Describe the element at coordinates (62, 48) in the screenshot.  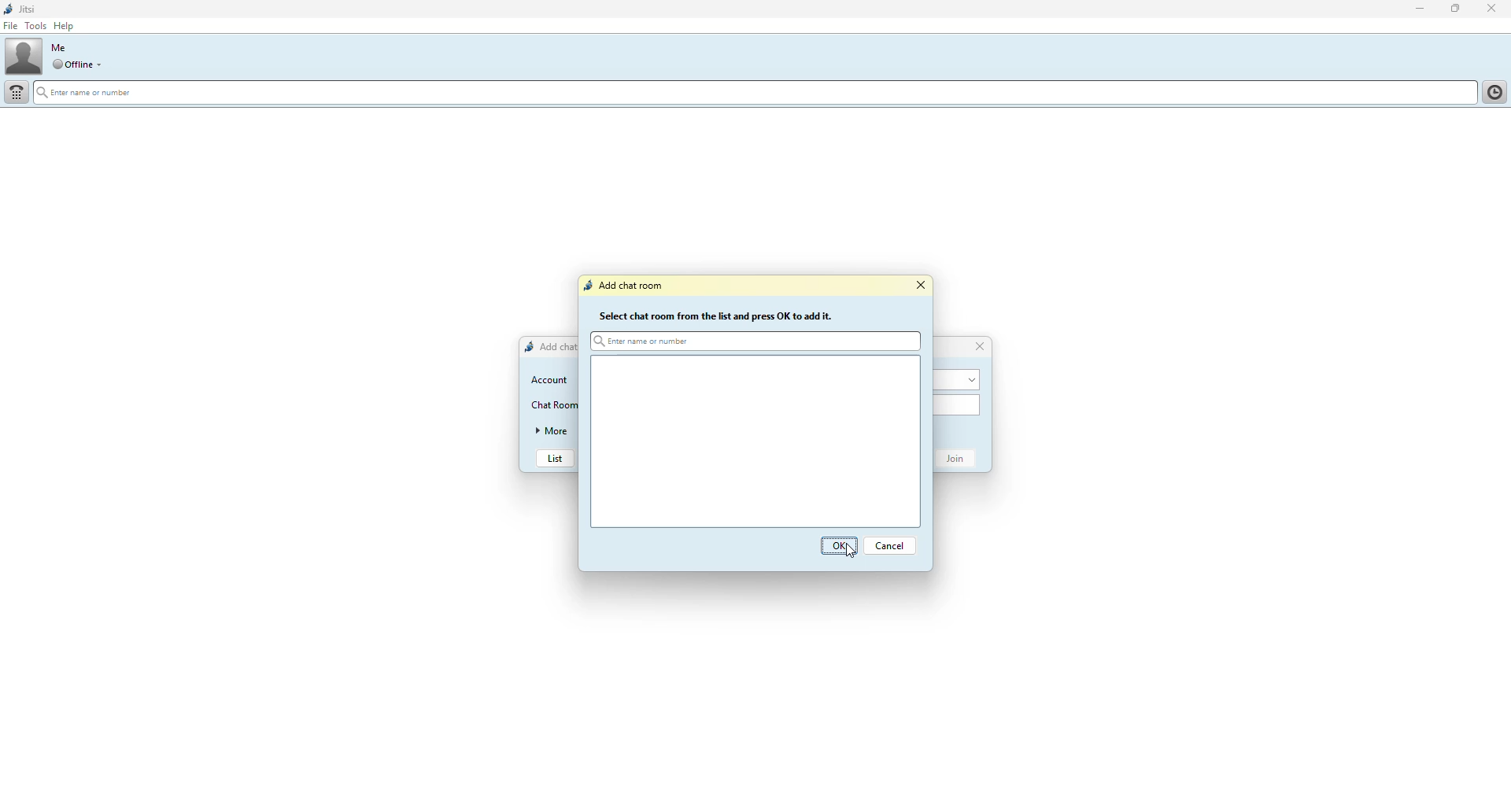
I see `me` at that location.